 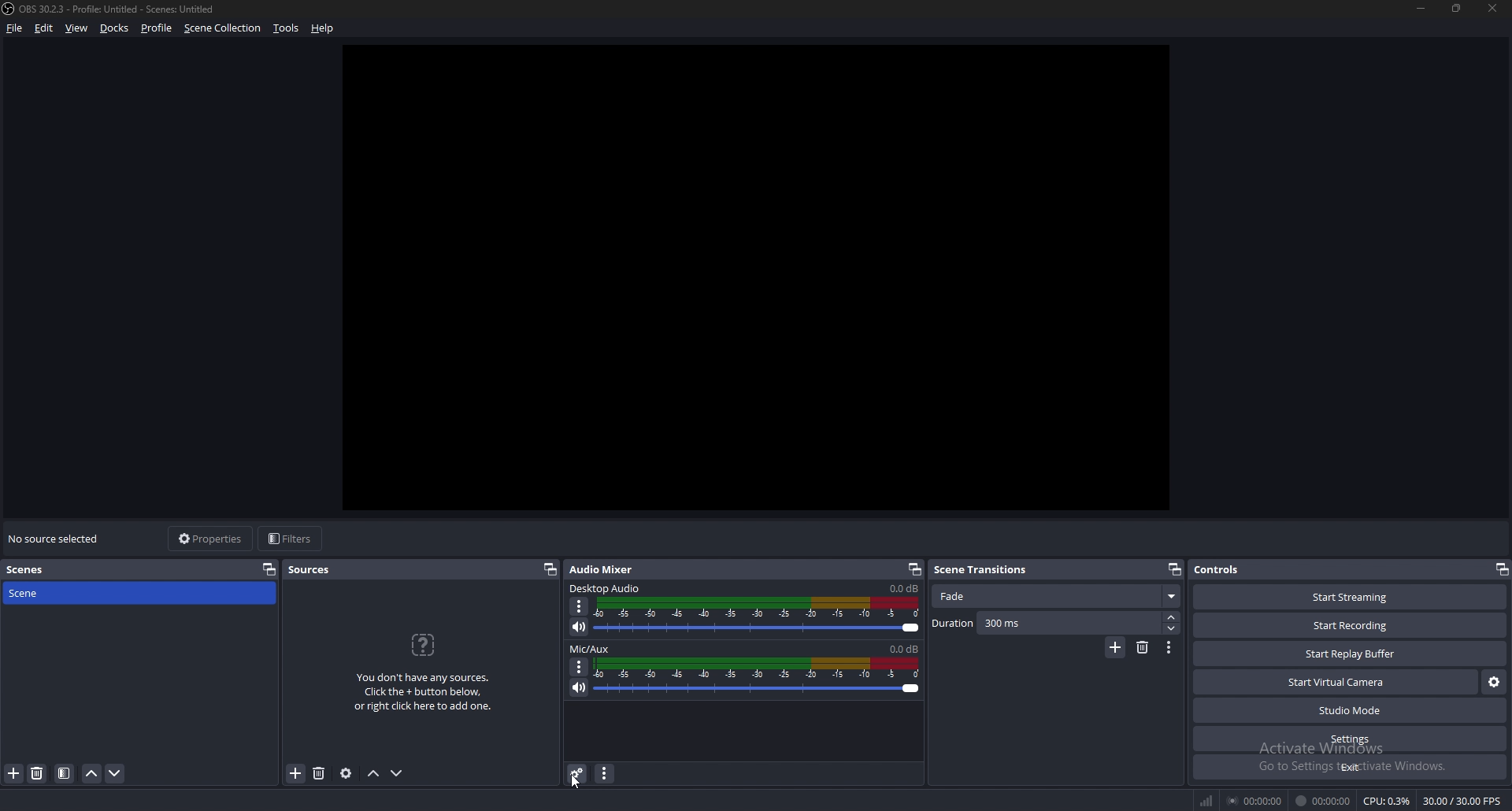 What do you see at coordinates (1045, 624) in the screenshot?
I see `duration` at bounding box center [1045, 624].